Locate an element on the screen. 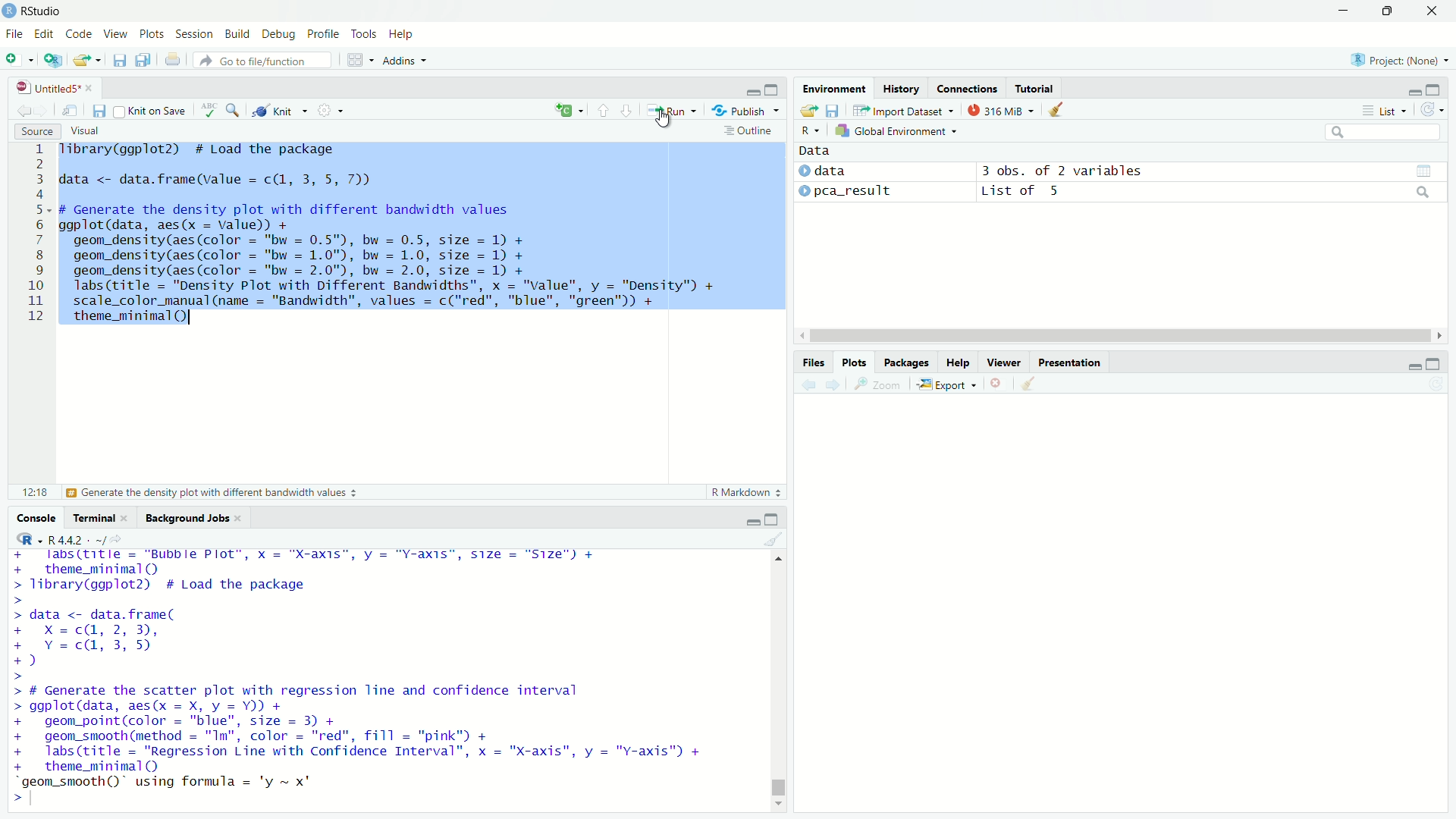 The width and height of the screenshot is (1456, 819). Help is located at coordinates (402, 34).